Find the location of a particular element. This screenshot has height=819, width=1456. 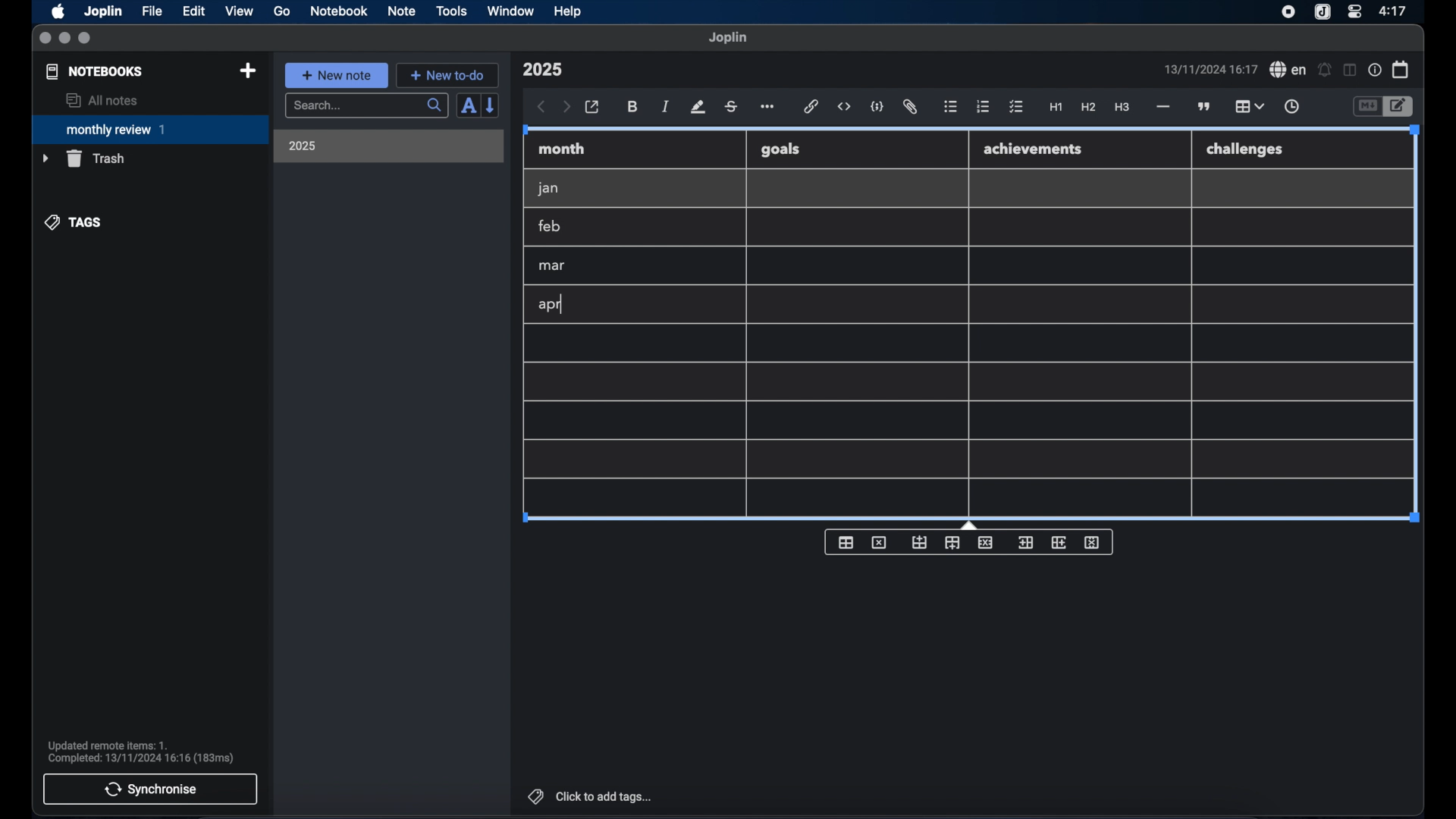

close is located at coordinates (45, 39).